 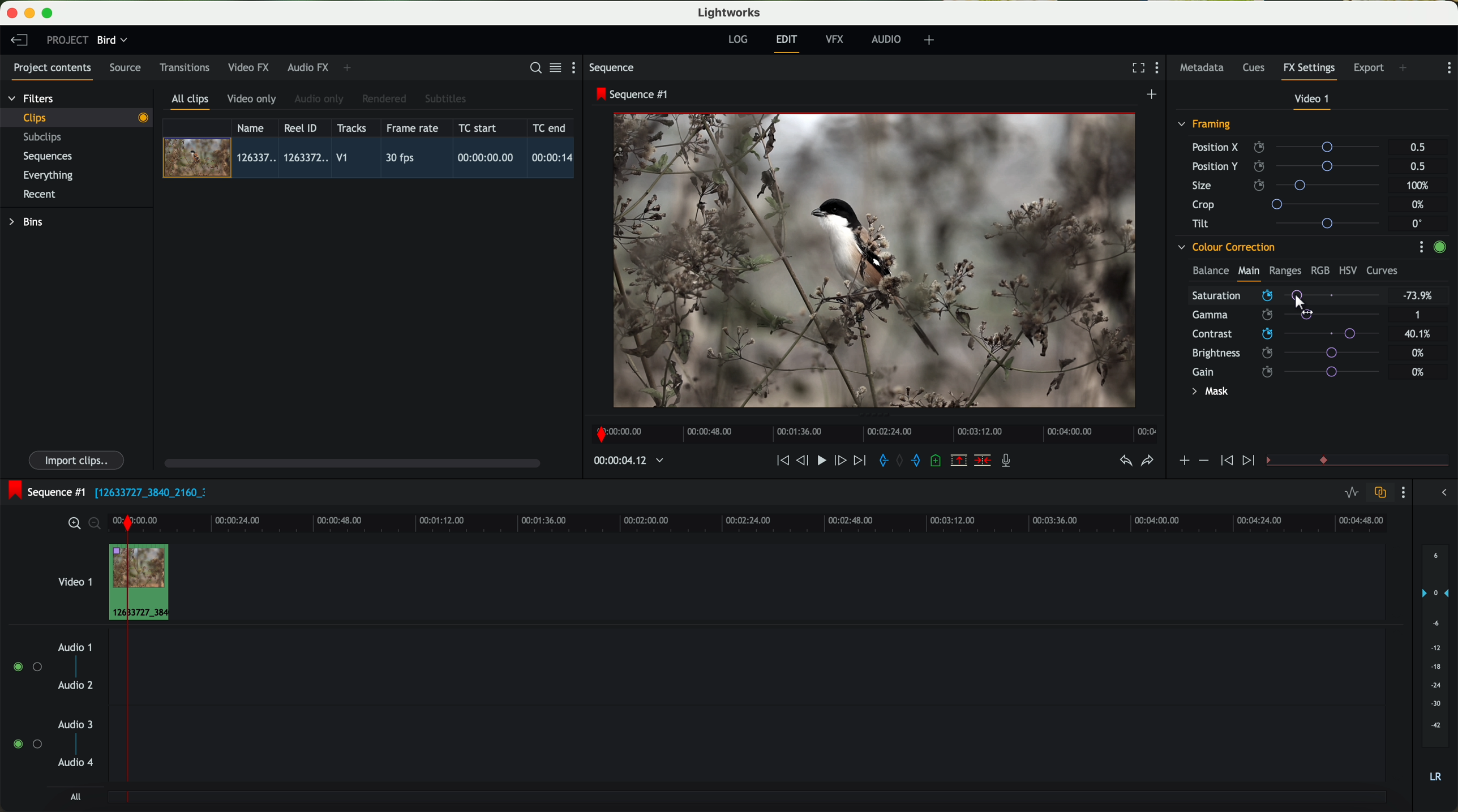 What do you see at coordinates (32, 98) in the screenshot?
I see `filters` at bounding box center [32, 98].